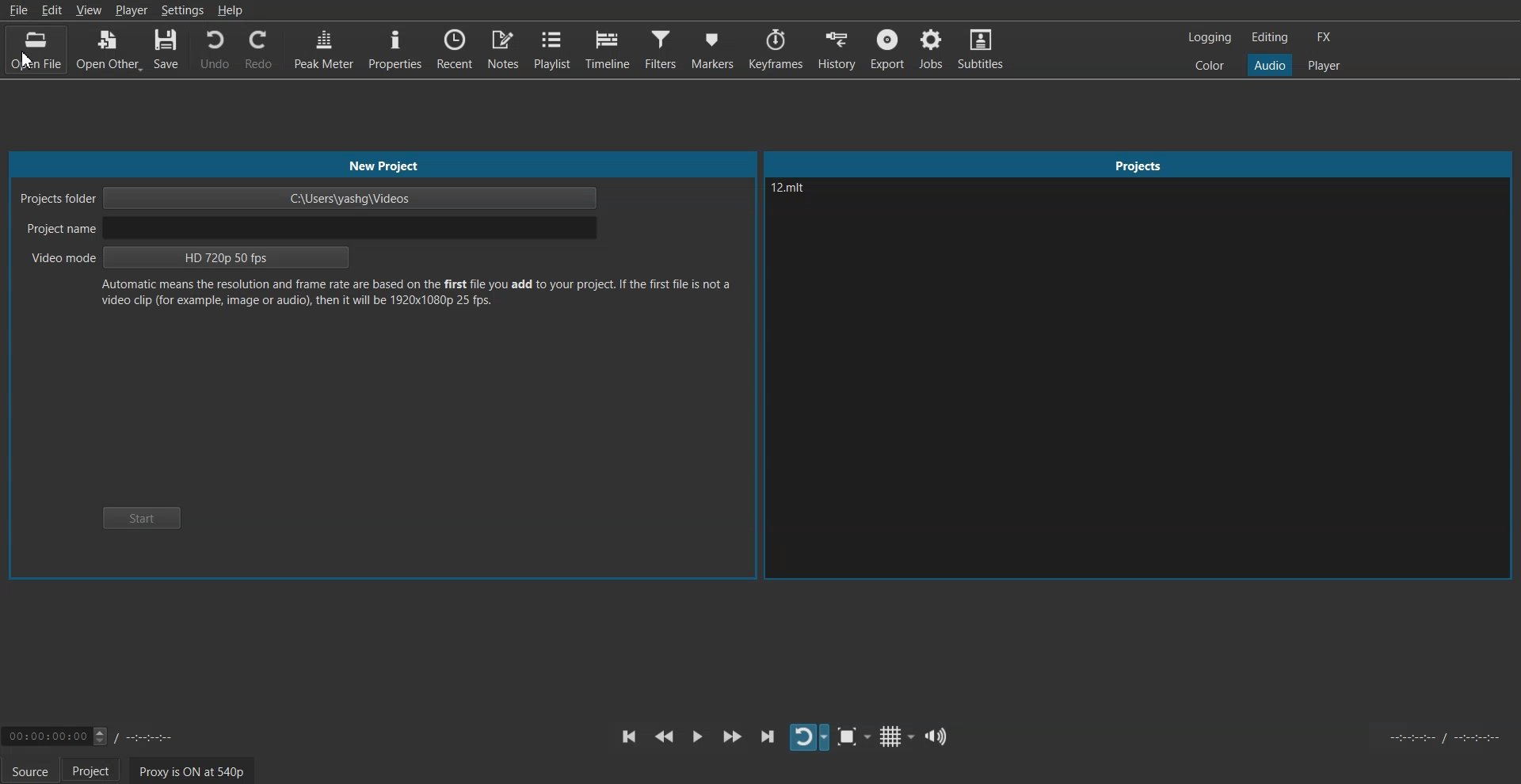  What do you see at coordinates (193, 259) in the screenshot?
I see `Video Mode` at bounding box center [193, 259].